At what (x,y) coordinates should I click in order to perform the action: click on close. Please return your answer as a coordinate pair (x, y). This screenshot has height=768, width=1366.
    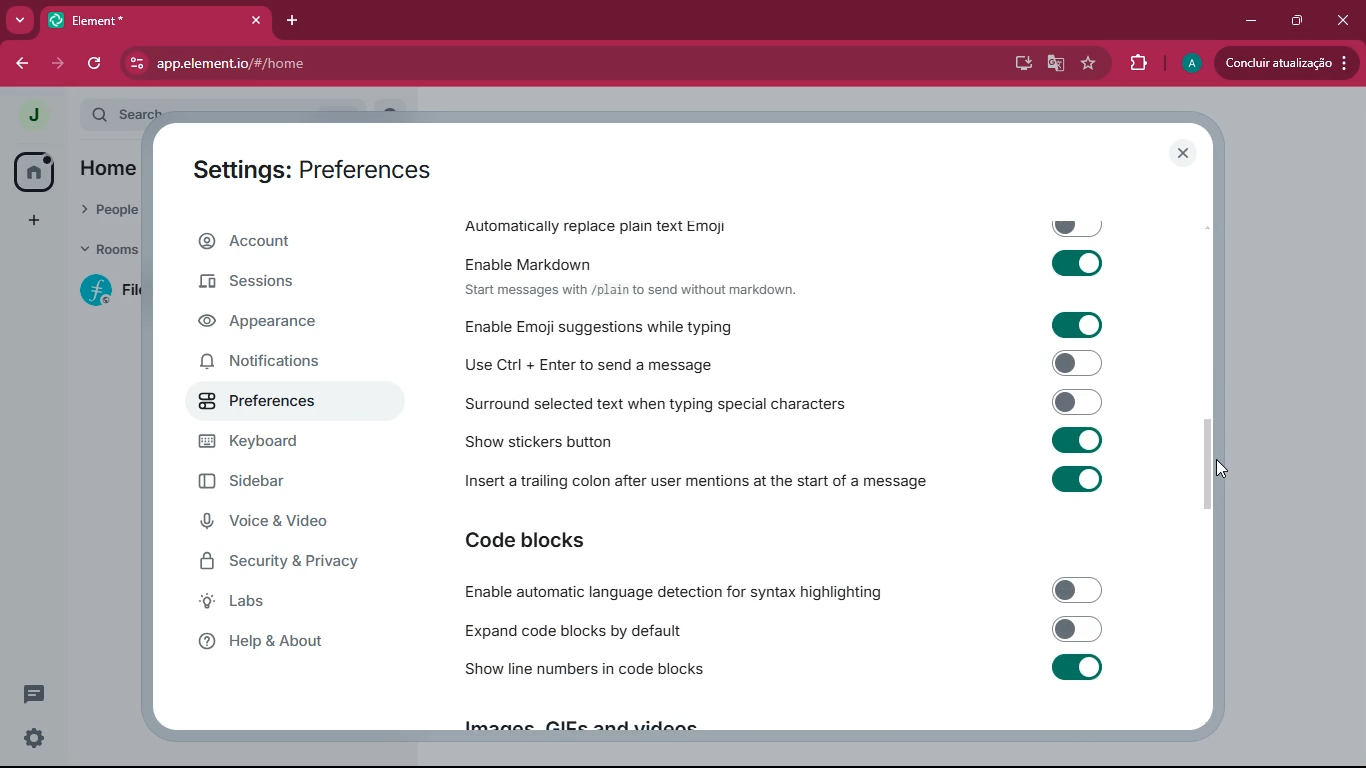
    Looking at the image, I should click on (1342, 21).